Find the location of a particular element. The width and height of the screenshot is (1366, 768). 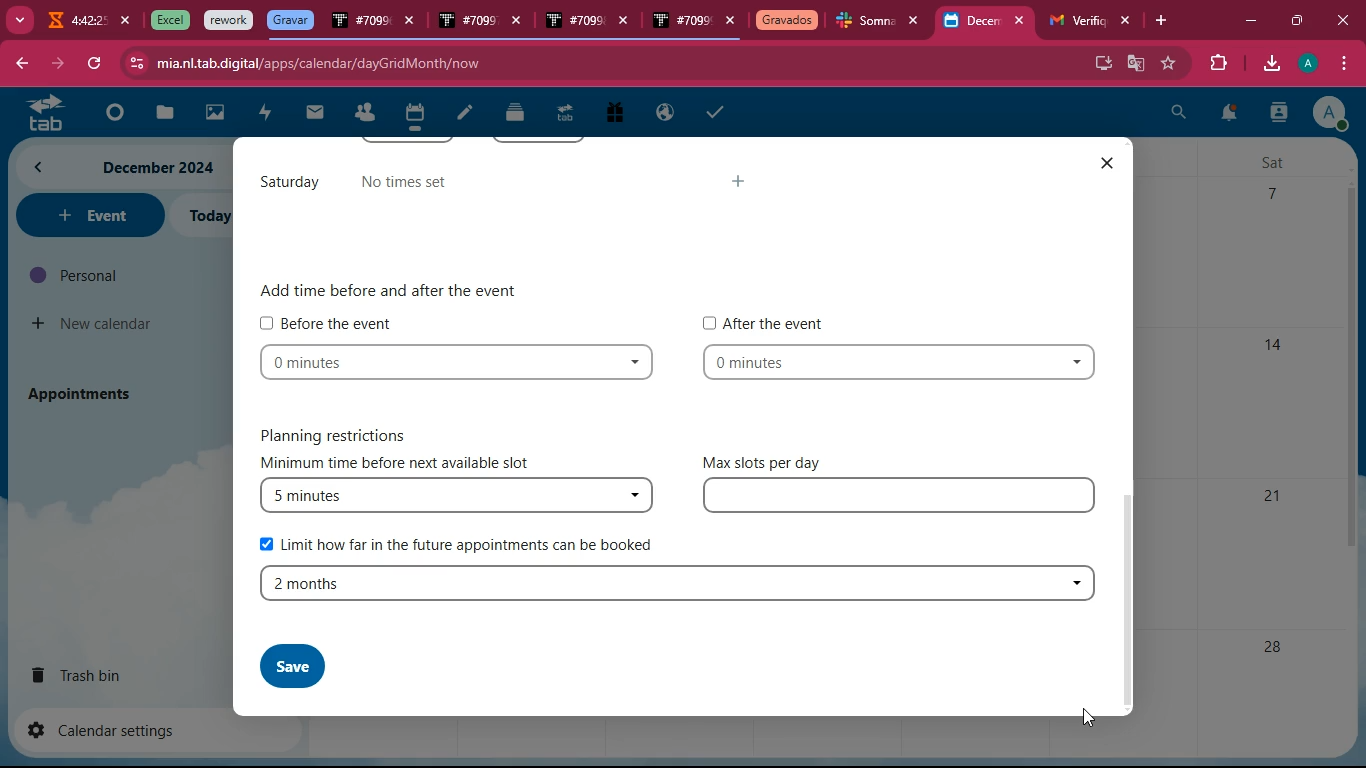

tab is located at coordinates (866, 23).